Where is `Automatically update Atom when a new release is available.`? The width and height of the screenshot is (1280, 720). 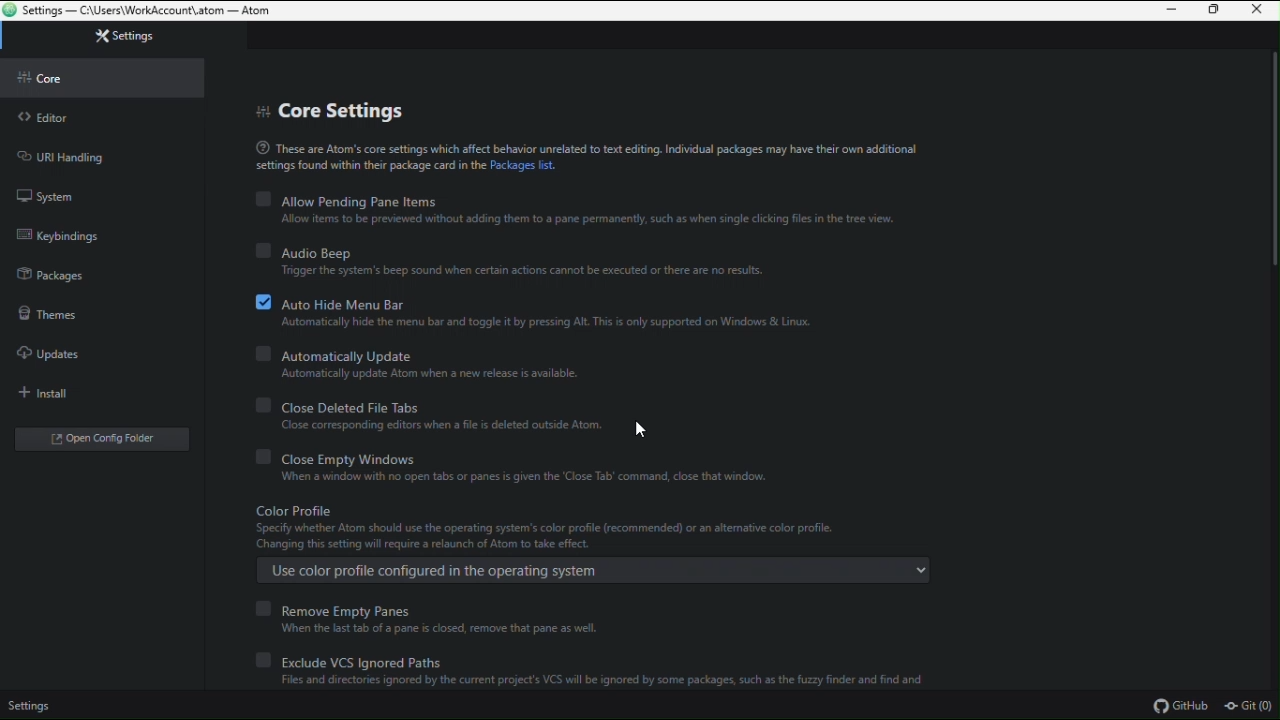 Automatically update Atom when a new release is available. is located at coordinates (432, 373).